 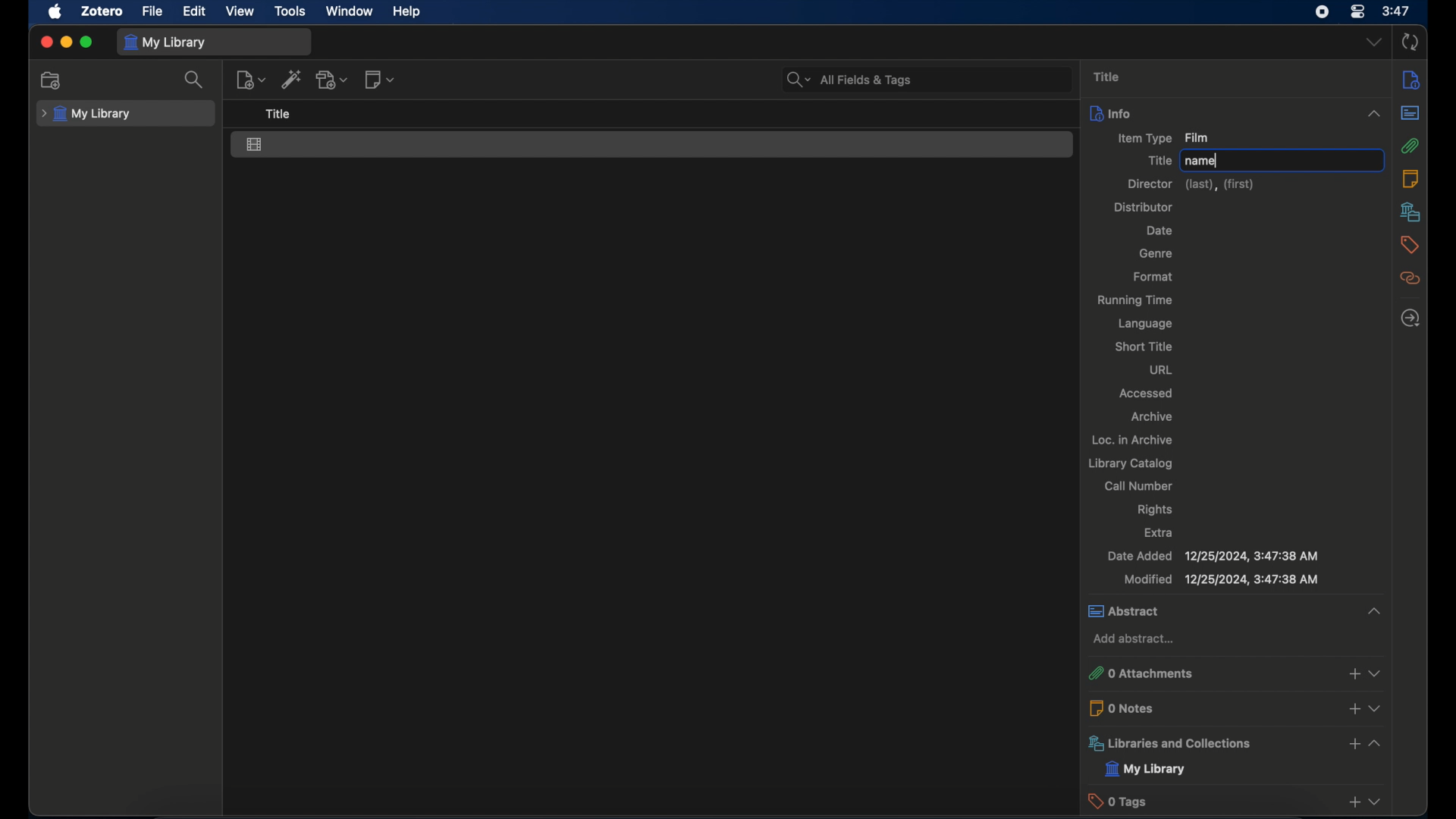 I want to click on rights, so click(x=1155, y=510).